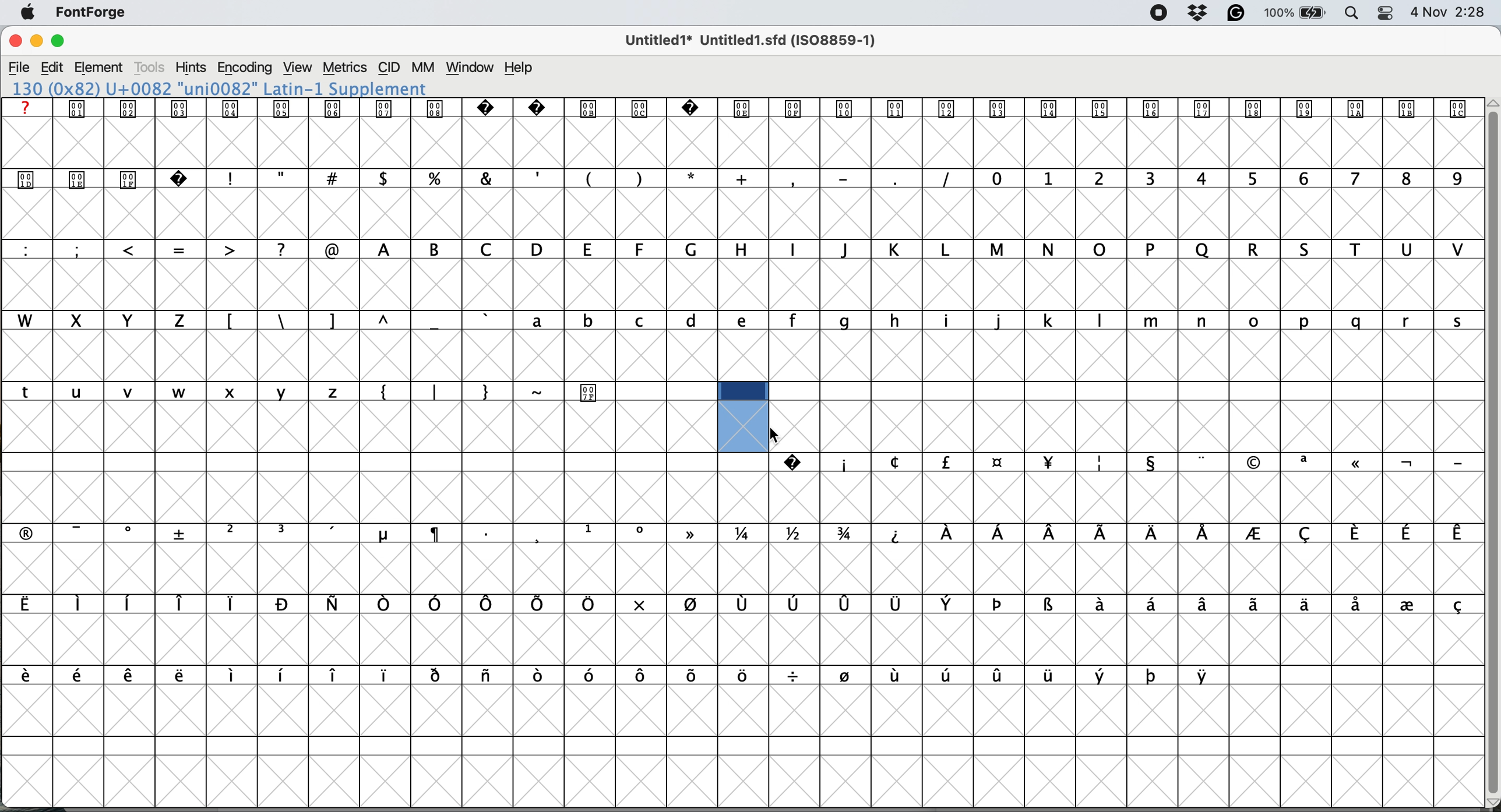 The width and height of the screenshot is (1501, 812). I want to click on uppercase letters, so click(111, 320).